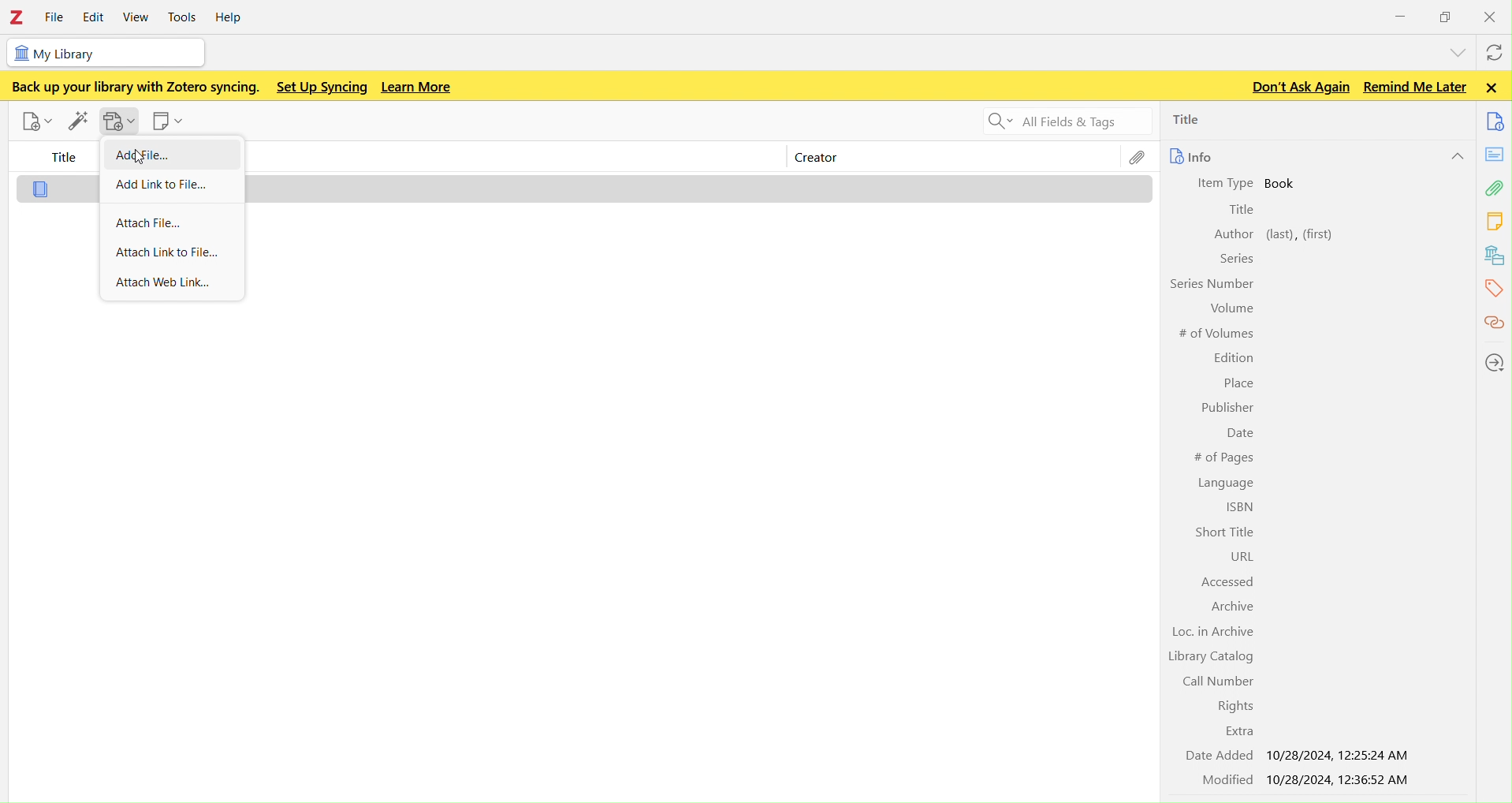 The width and height of the screenshot is (1512, 803). Describe the element at coordinates (1220, 680) in the screenshot. I see `Call Number` at that location.